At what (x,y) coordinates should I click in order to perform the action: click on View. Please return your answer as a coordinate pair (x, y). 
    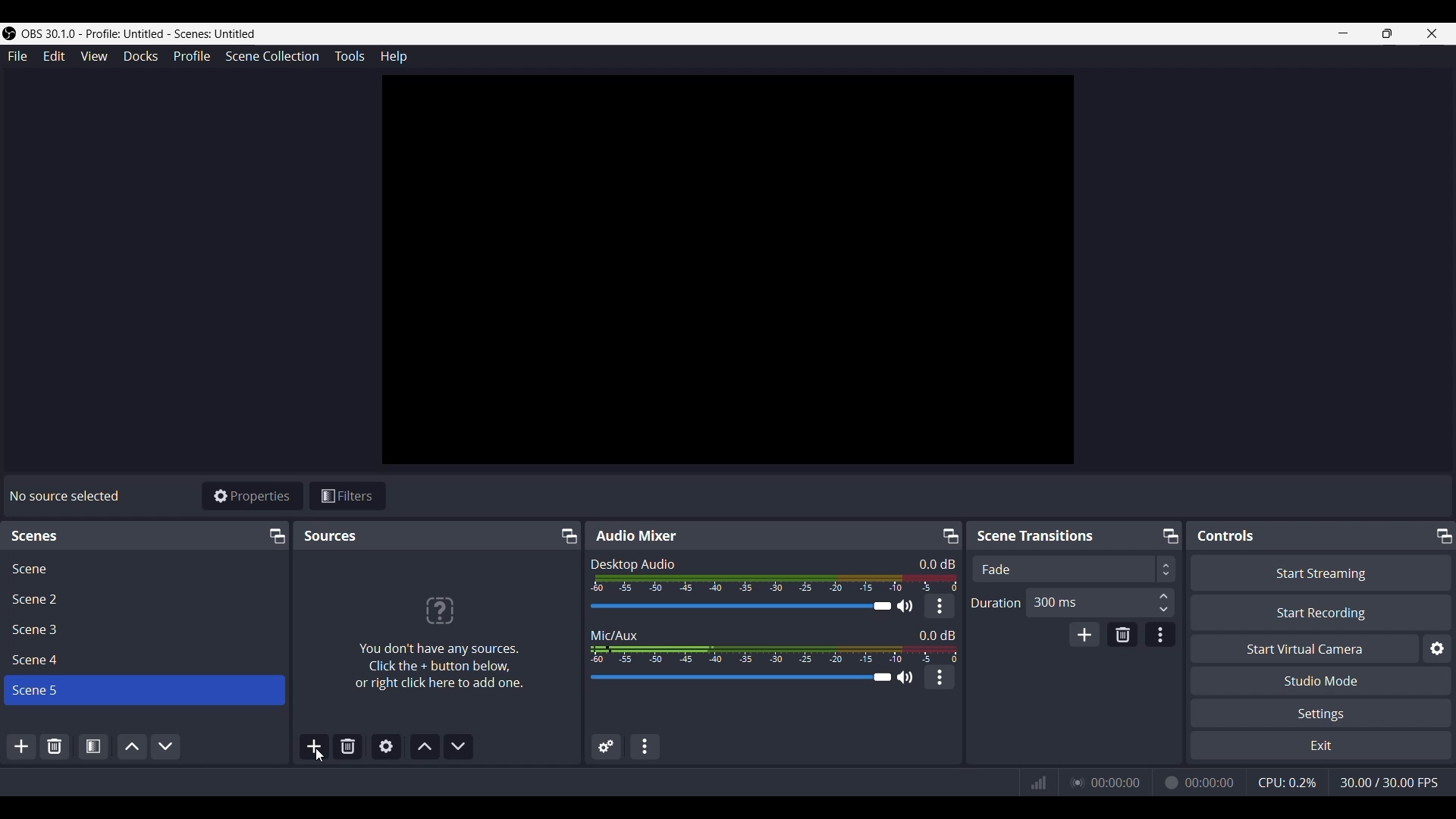
    Looking at the image, I should click on (93, 56).